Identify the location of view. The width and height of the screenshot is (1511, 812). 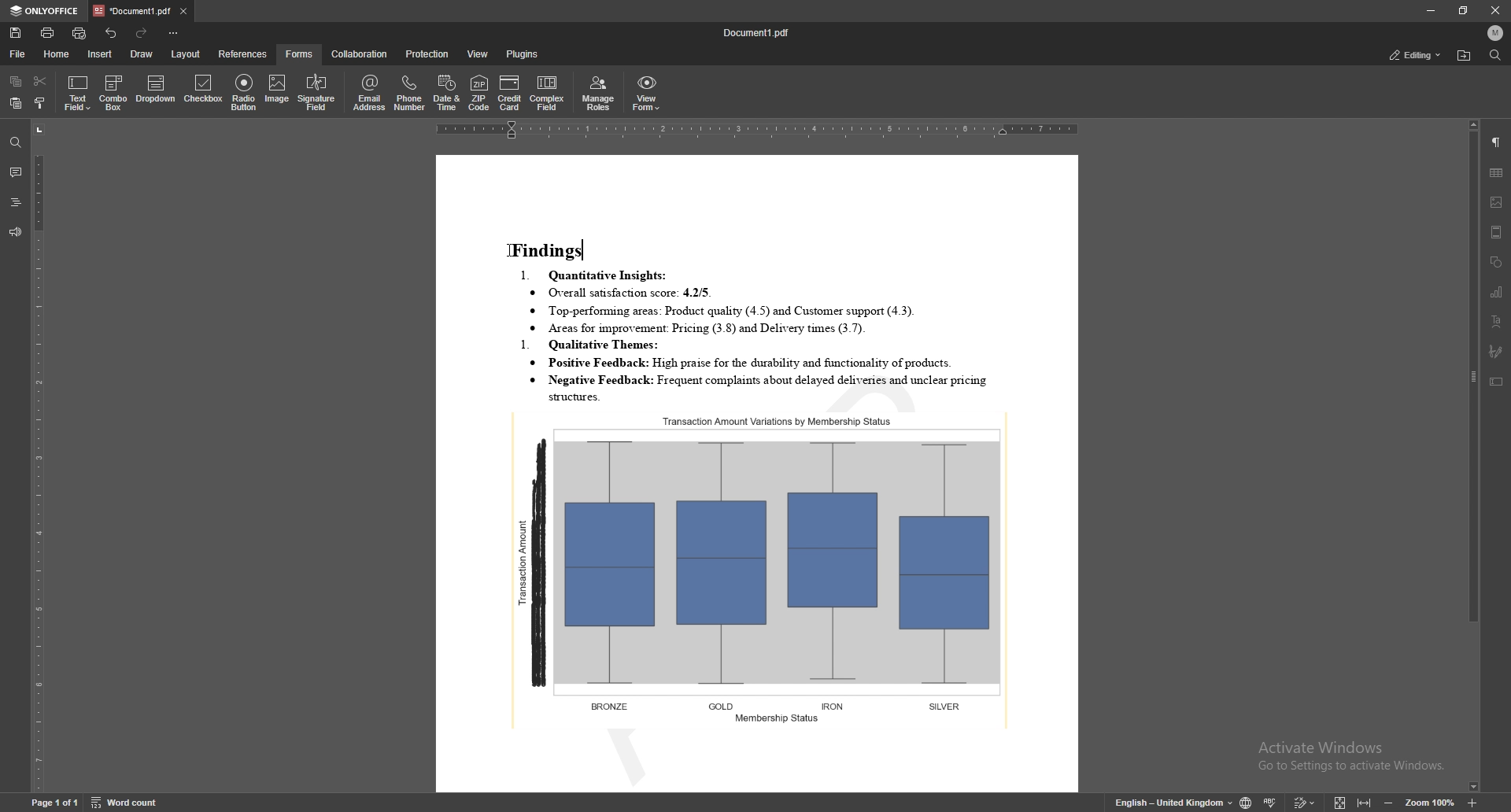
(479, 54).